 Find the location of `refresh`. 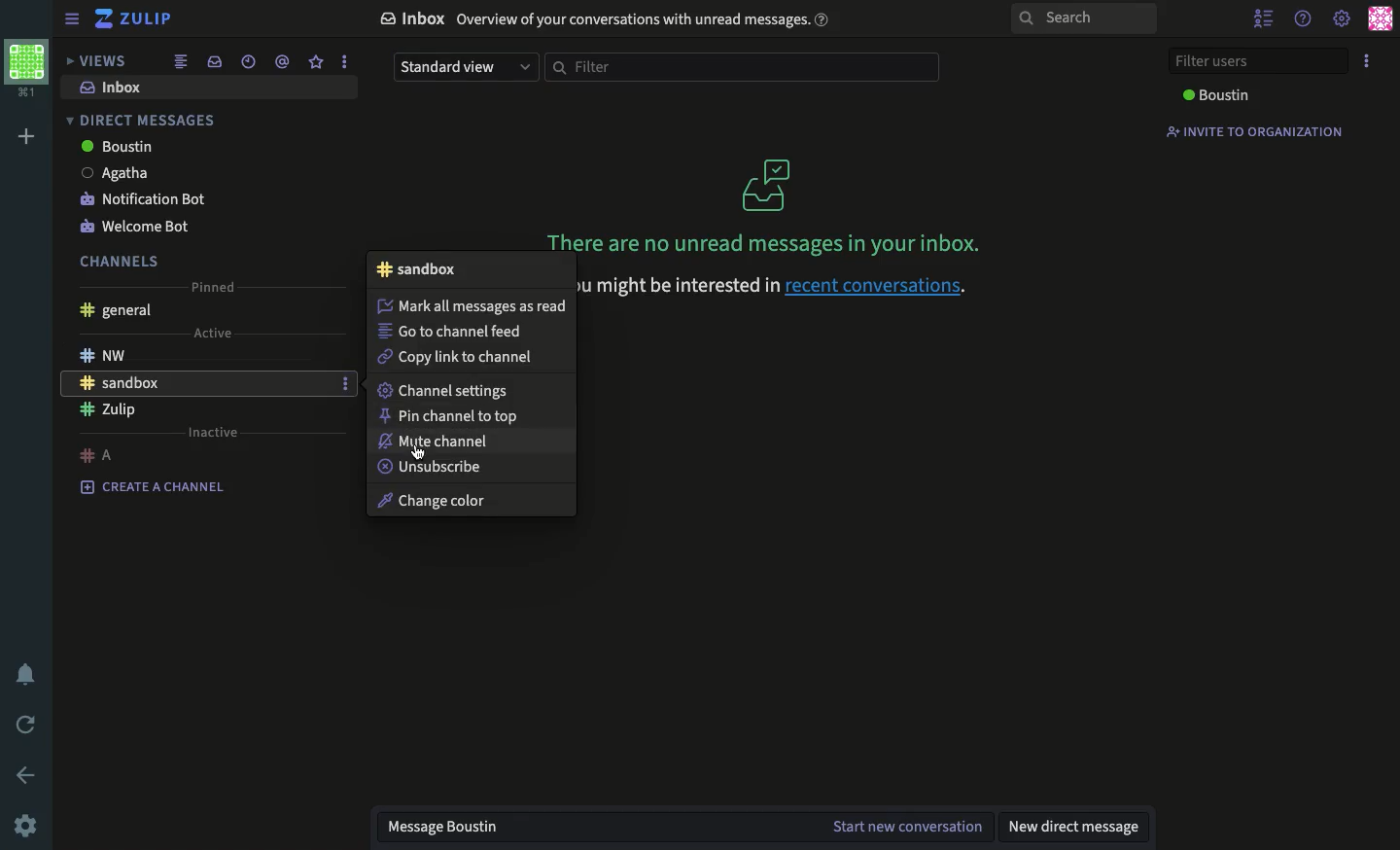

refresh is located at coordinates (23, 726).